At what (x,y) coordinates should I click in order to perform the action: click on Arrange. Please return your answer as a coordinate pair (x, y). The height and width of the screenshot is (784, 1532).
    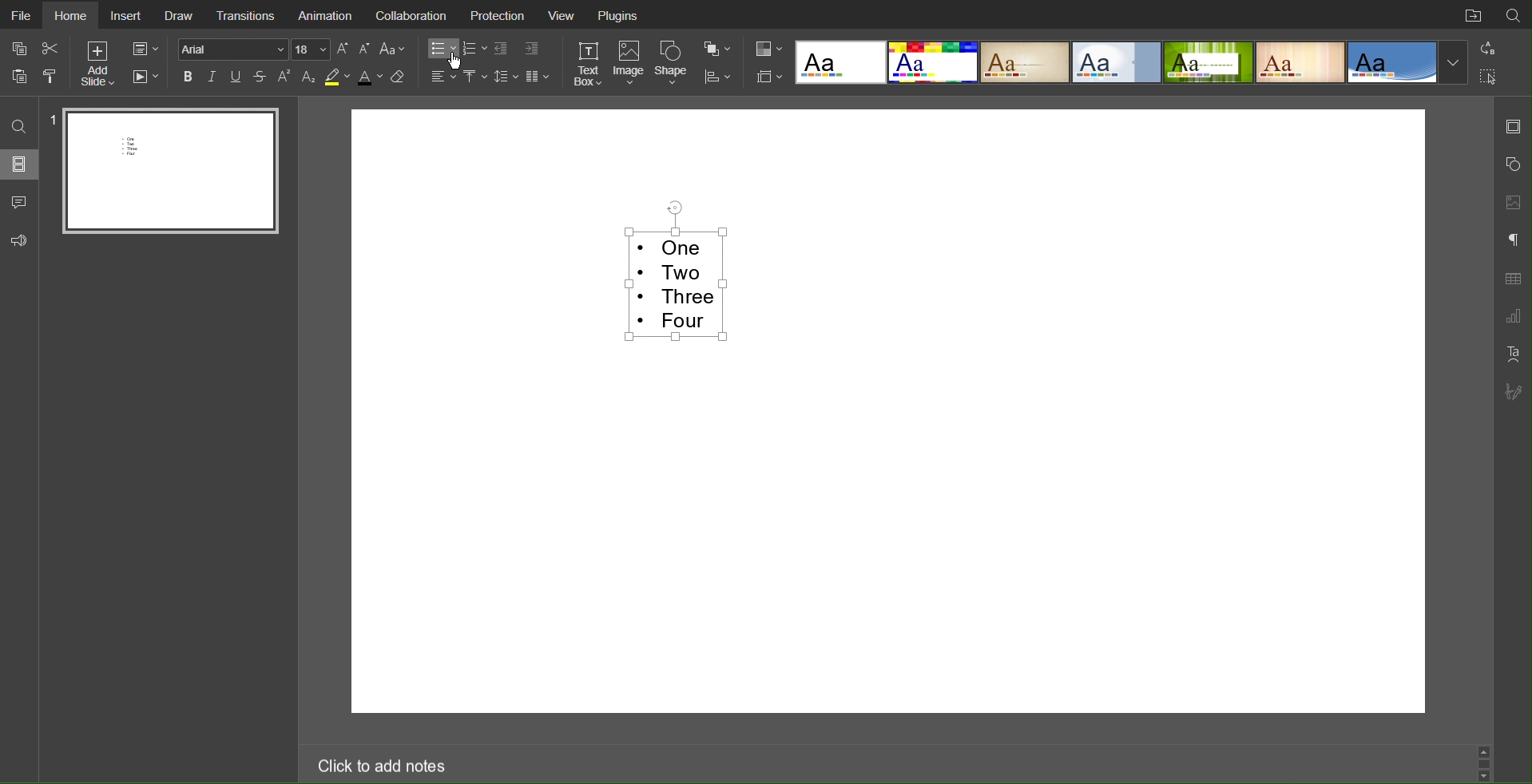
    Looking at the image, I should click on (717, 49).